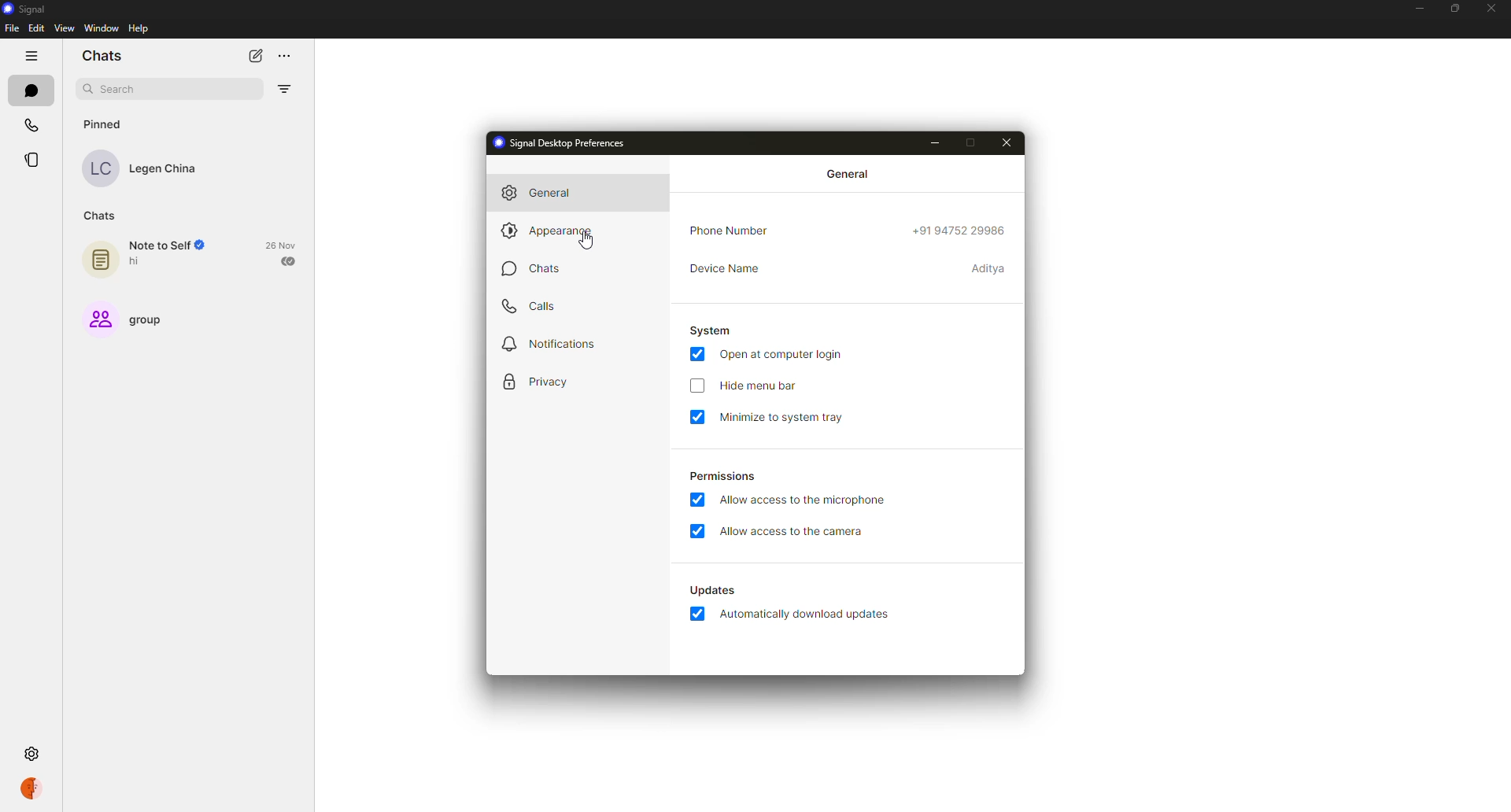  Describe the element at coordinates (34, 754) in the screenshot. I see `settings` at that location.